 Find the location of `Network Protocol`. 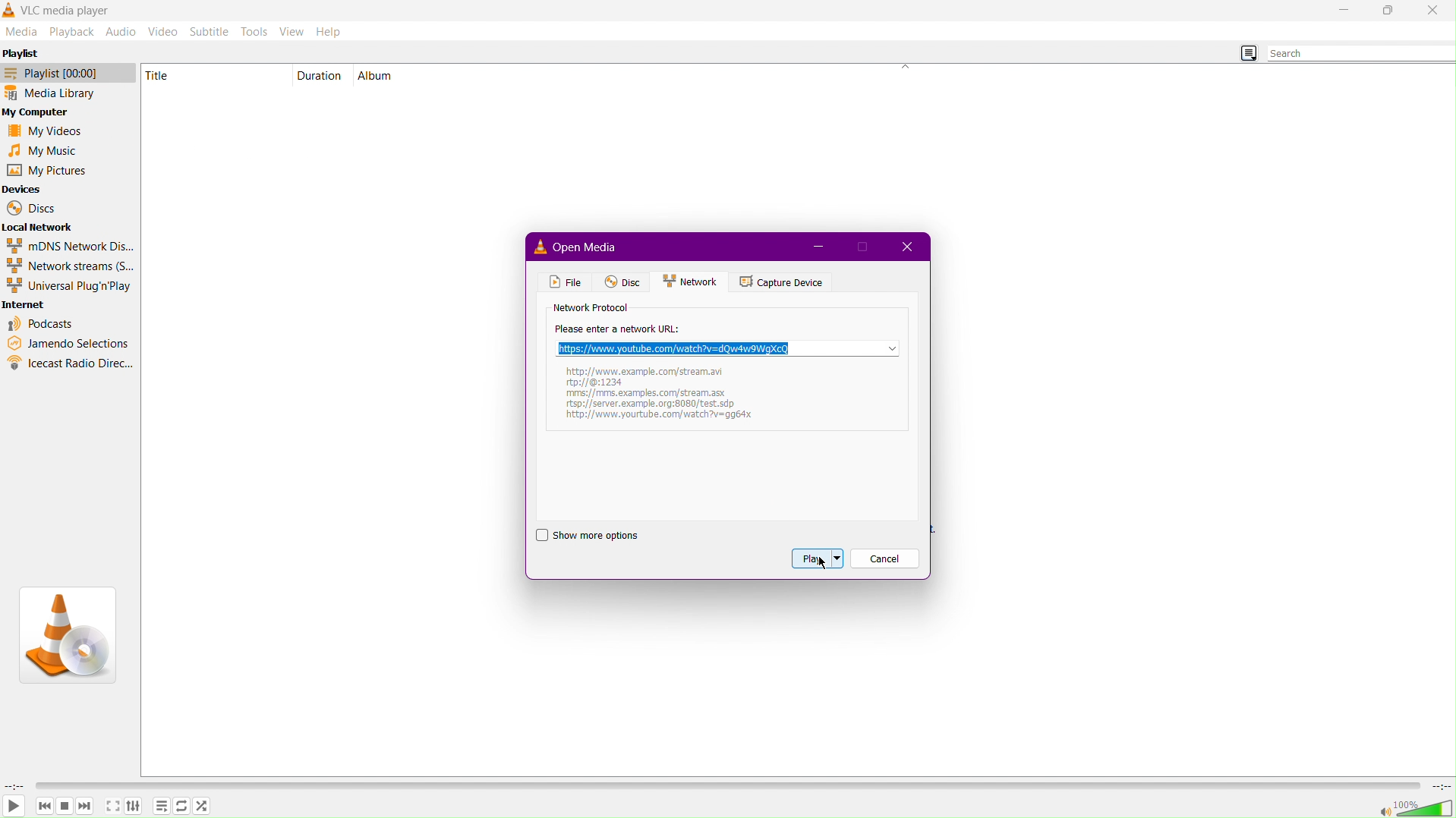

Network Protocol is located at coordinates (591, 309).